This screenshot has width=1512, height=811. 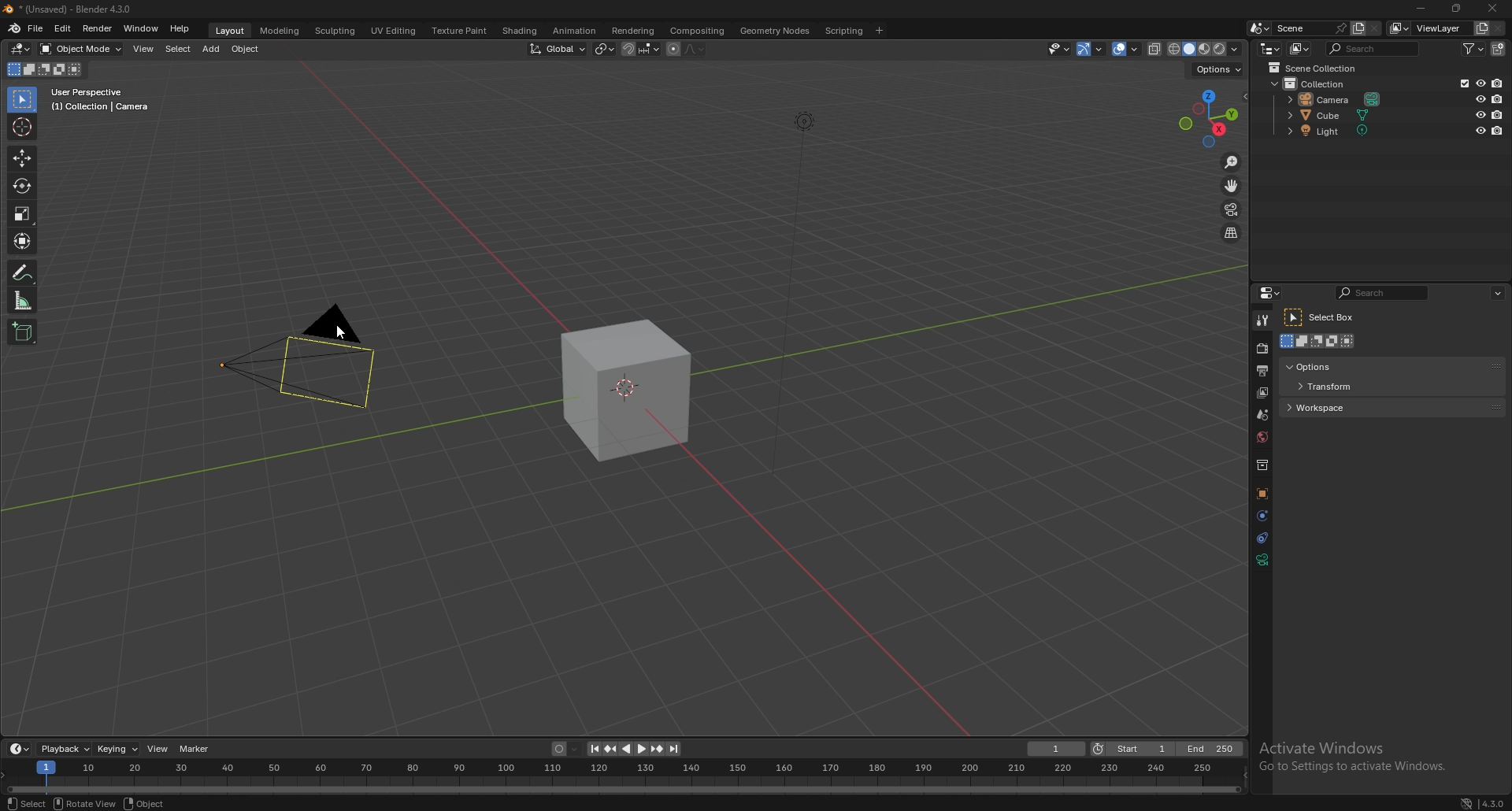 I want to click on collection, so click(x=1315, y=83).